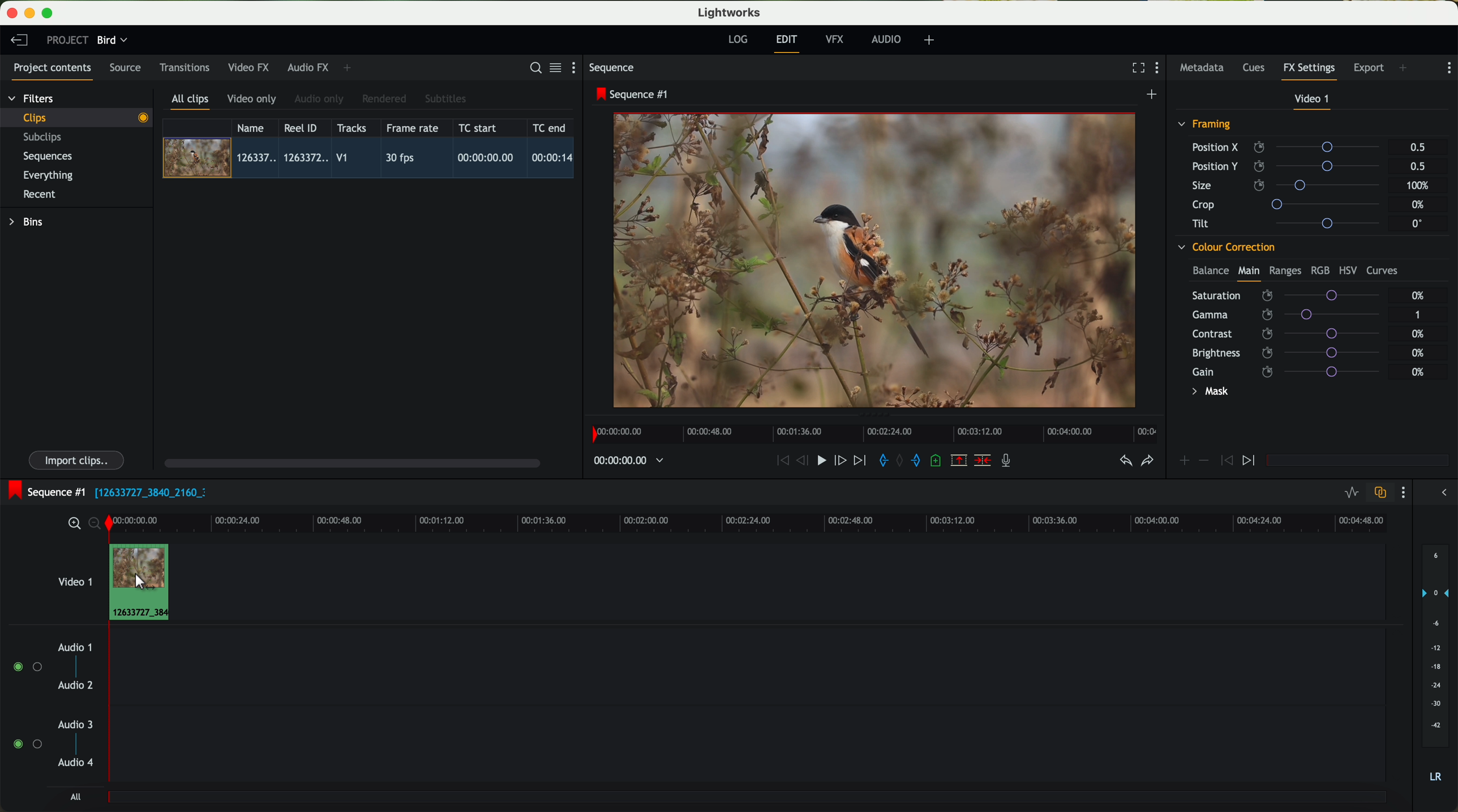 The image size is (1458, 812). What do you see at coordinates (1147, 462) in the screenshot?
I see `redo` at bounding box center [1147, 462].